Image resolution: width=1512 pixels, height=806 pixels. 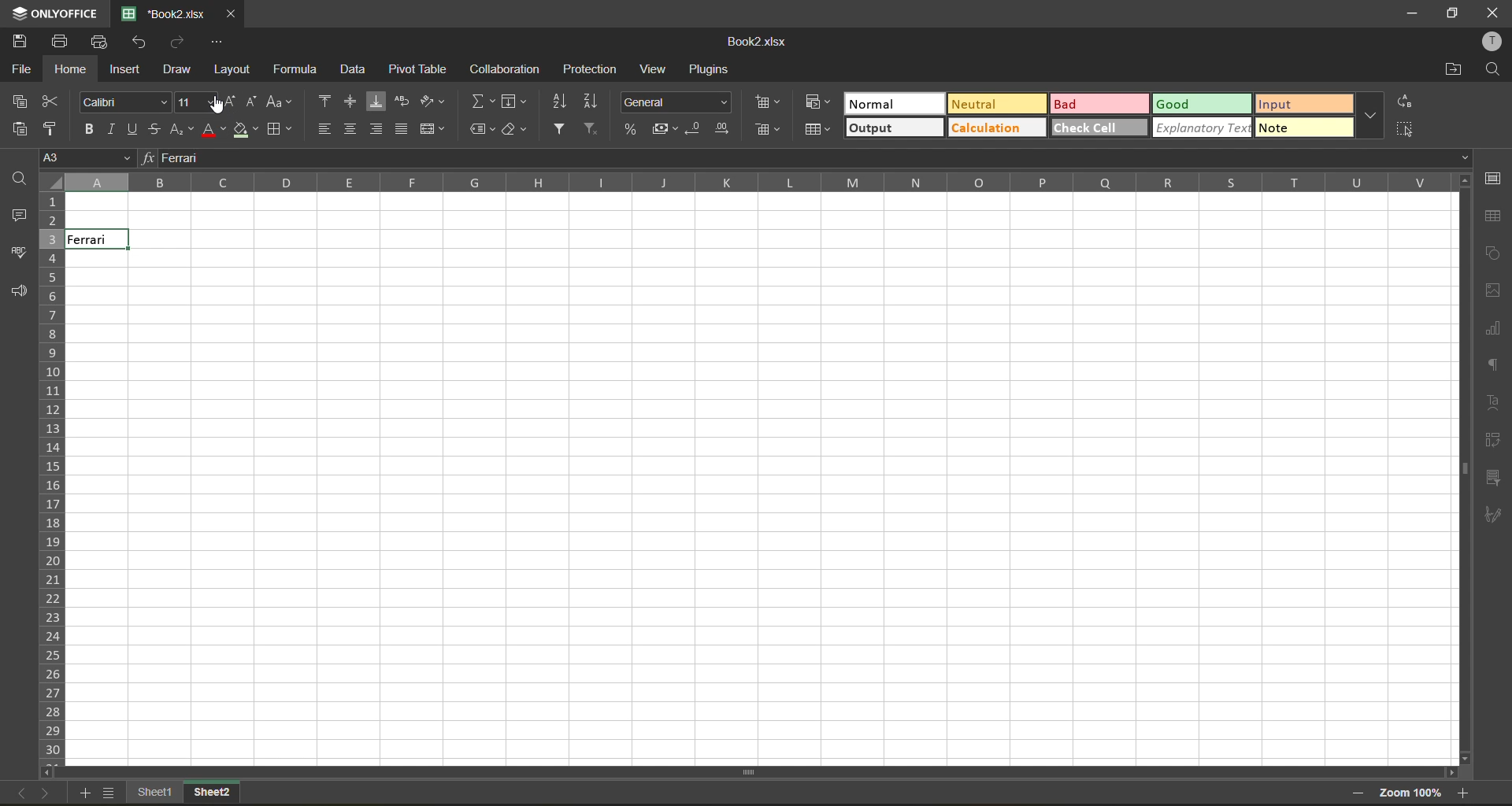 What do you see at coordinates (769, 183) in the screenshot?
I see `column names` at bounding box center [769, 183].